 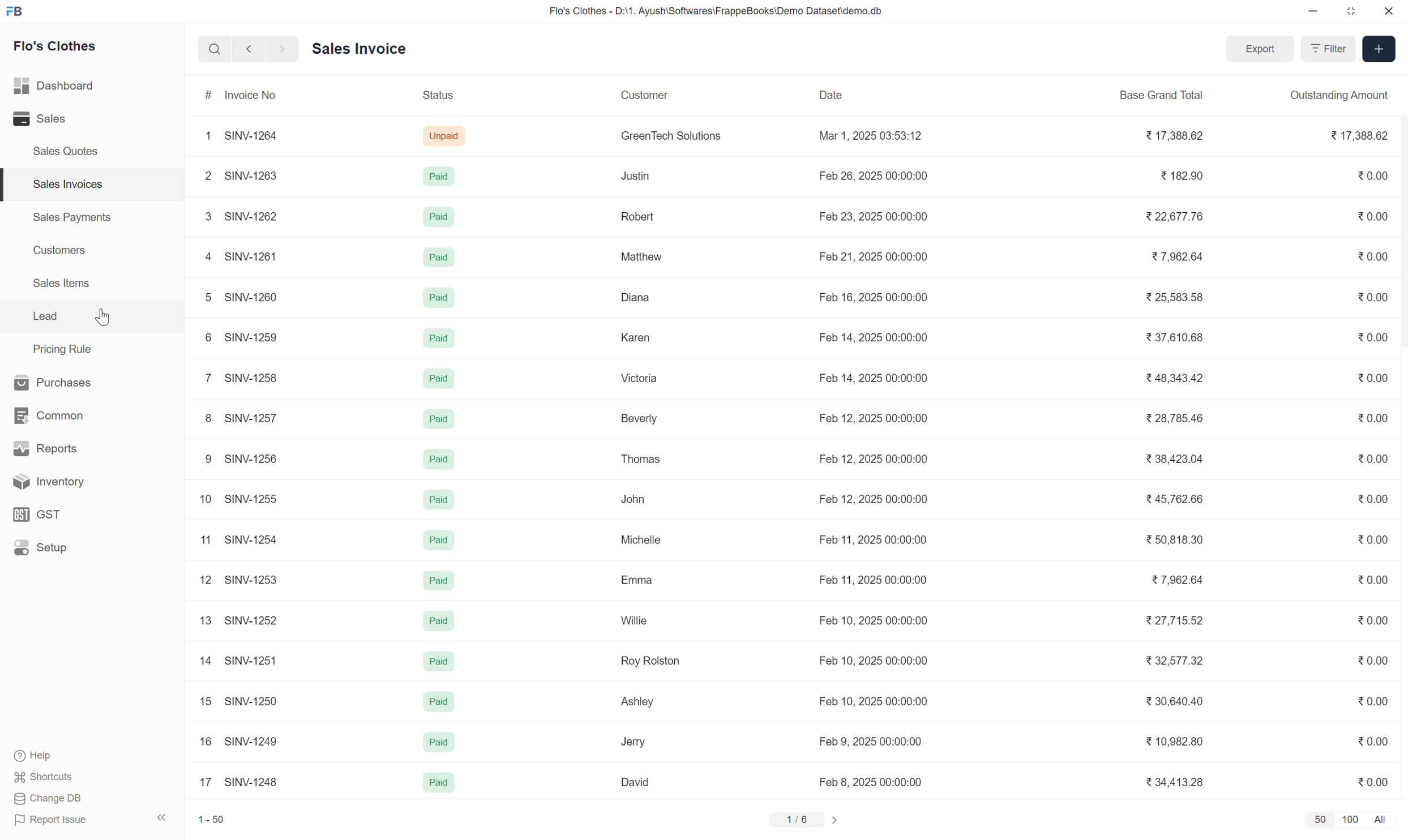 I want to click on 50, so click(x=1320, y=820).